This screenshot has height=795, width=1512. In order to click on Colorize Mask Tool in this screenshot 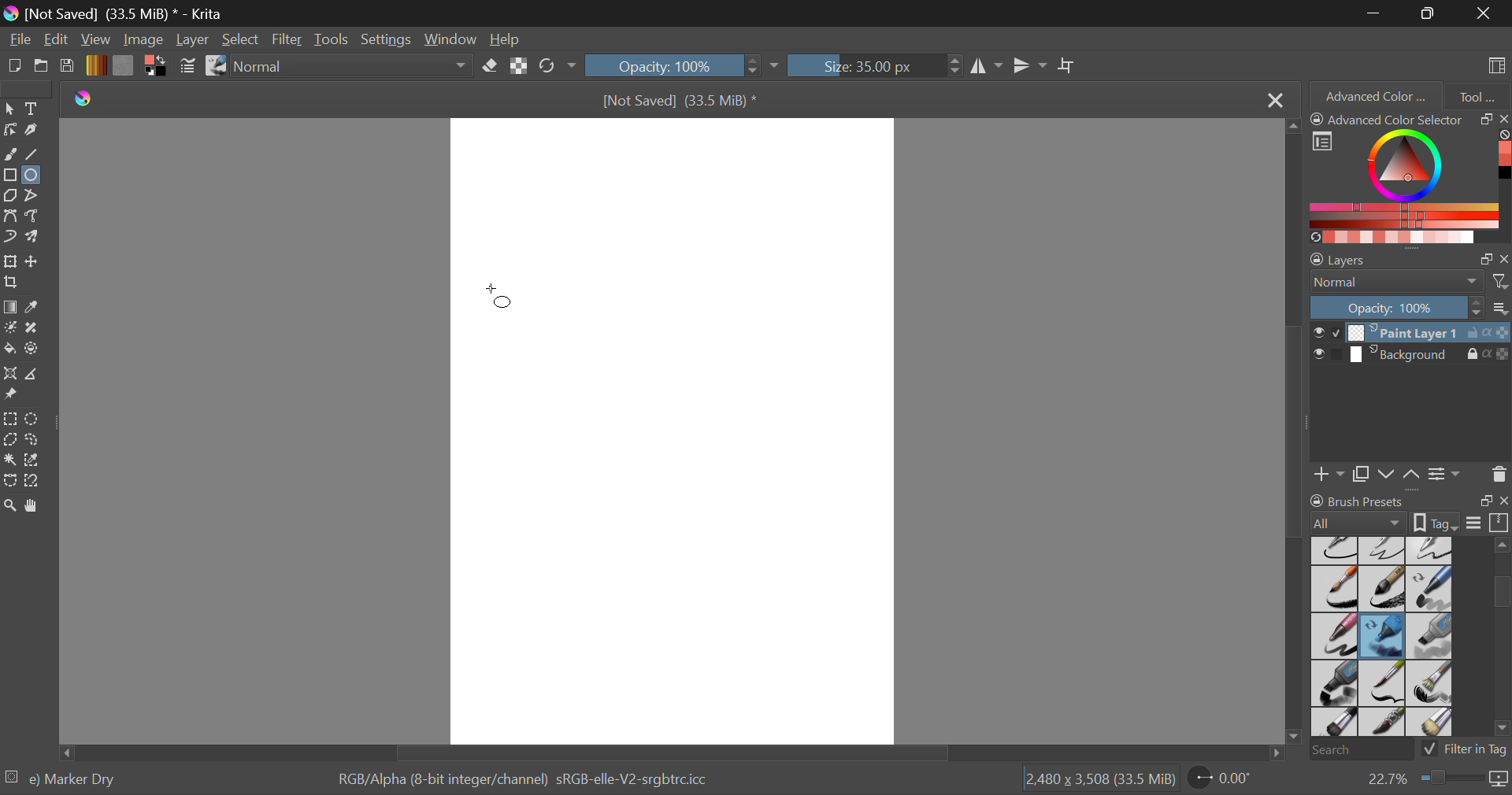, I will do `click(11, 329)`.